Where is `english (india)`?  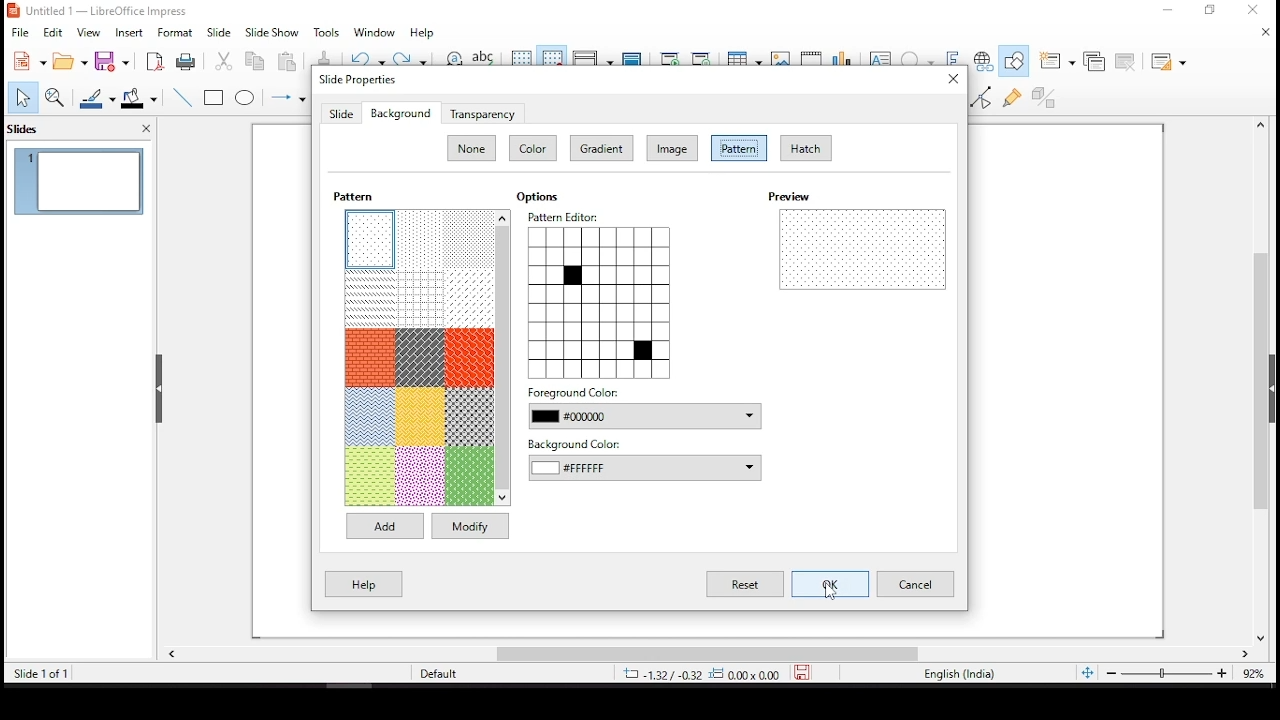 english (india) is located at coordinates (958, 673).